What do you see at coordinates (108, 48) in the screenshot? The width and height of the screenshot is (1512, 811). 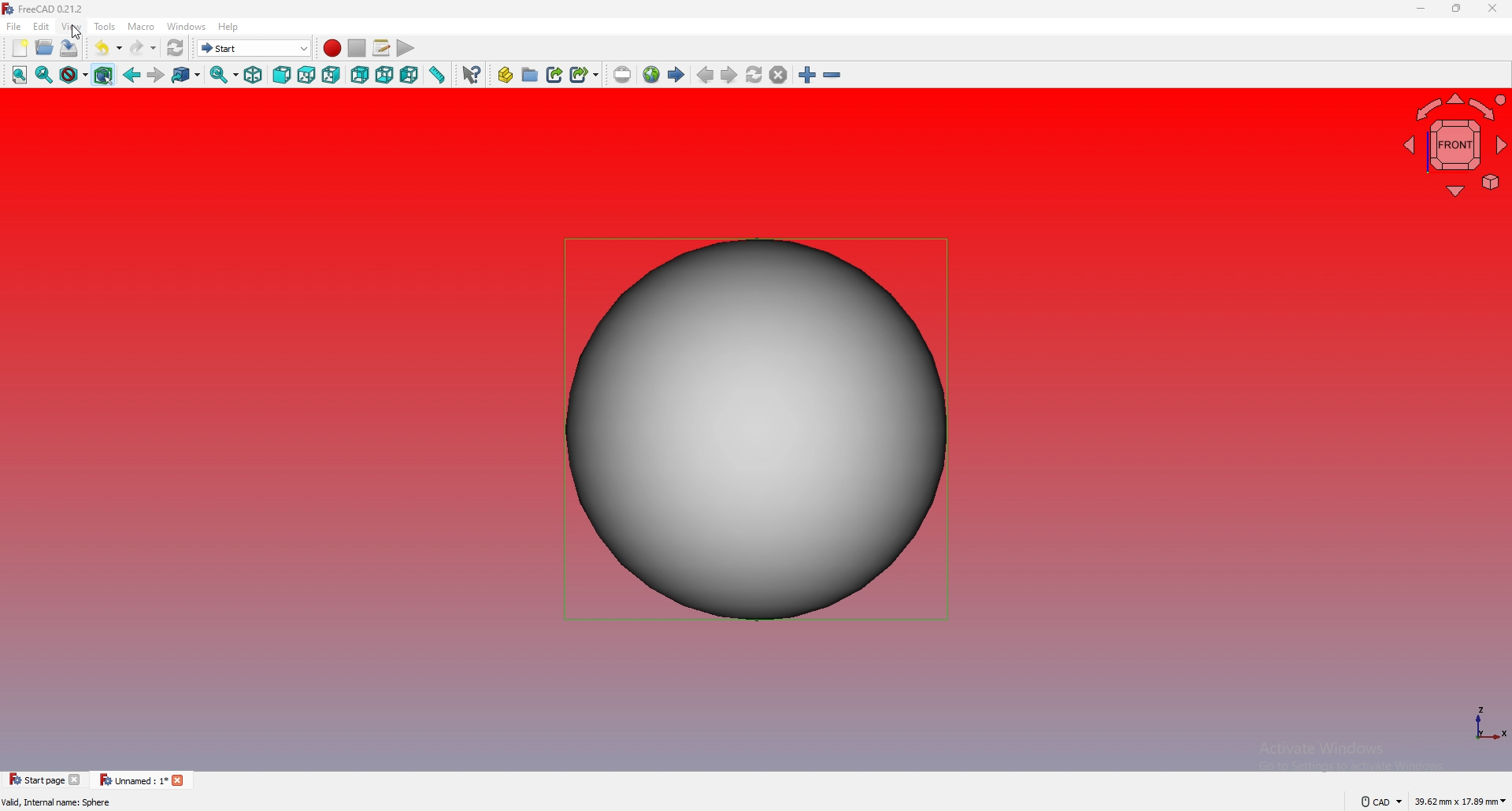 I see `undo` at bounding box center [108, 48].